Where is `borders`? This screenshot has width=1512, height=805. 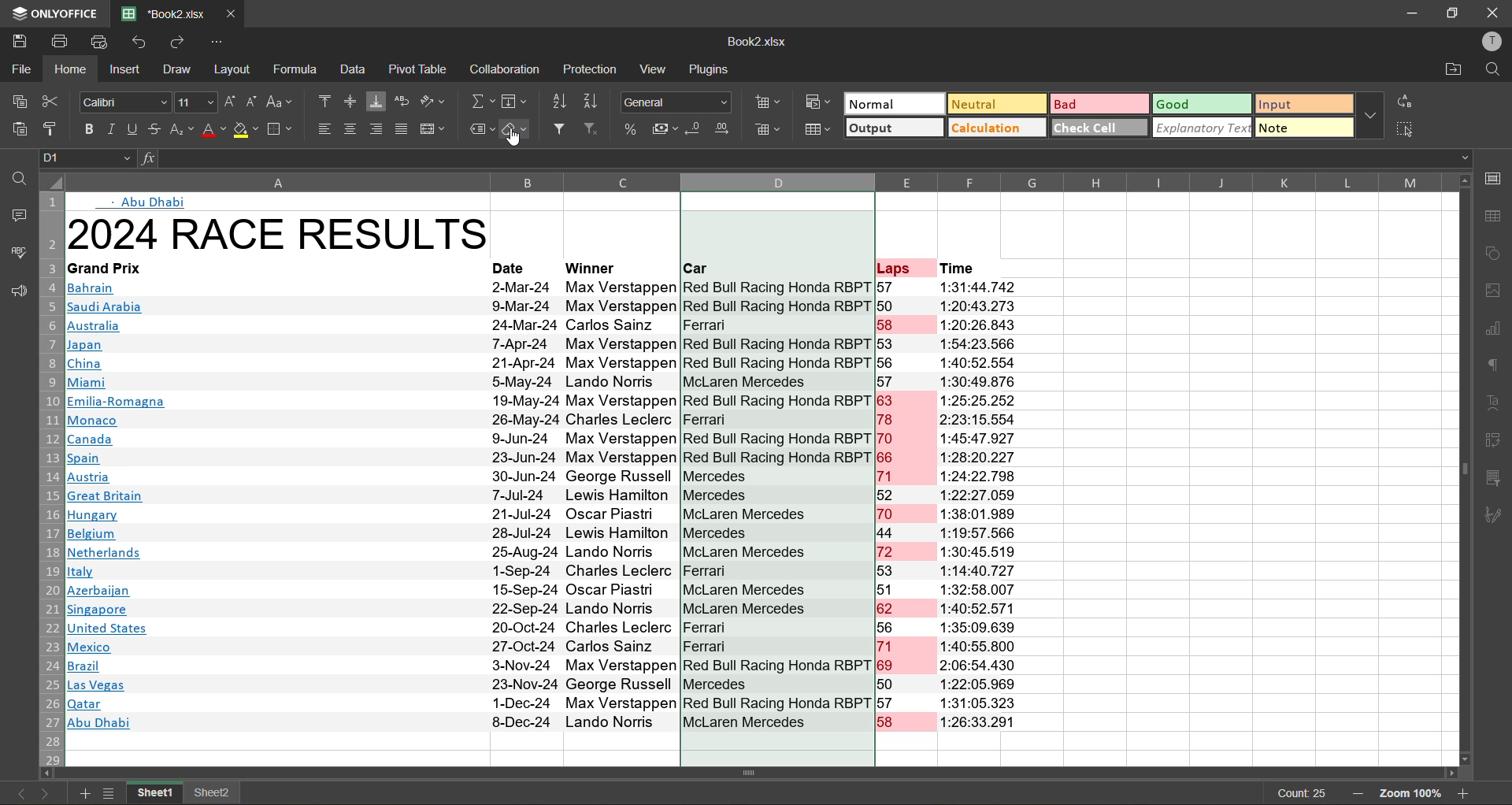 borders is located at coordinates (283, 129).